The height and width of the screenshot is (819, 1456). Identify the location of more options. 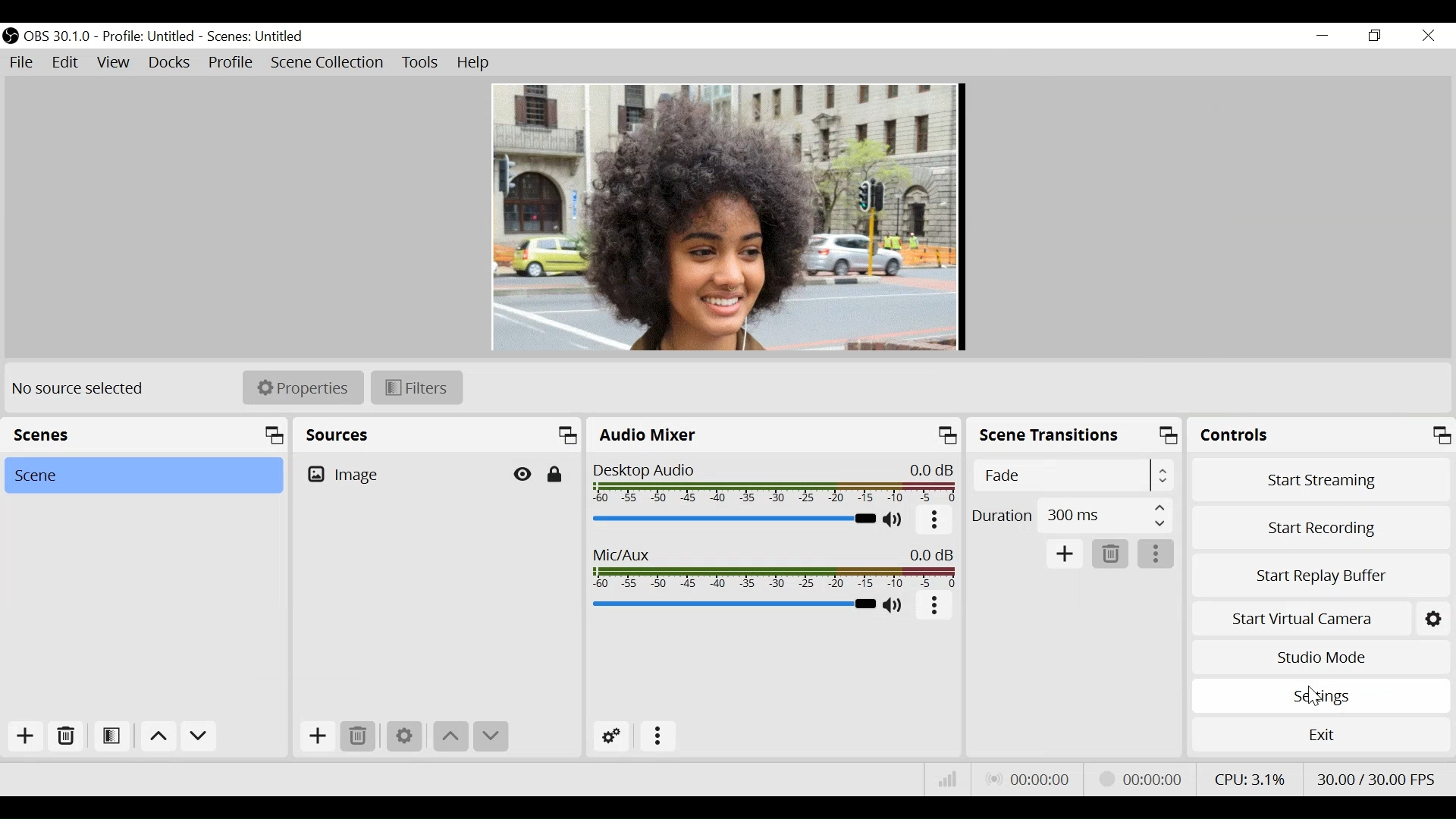
(1156, 552).